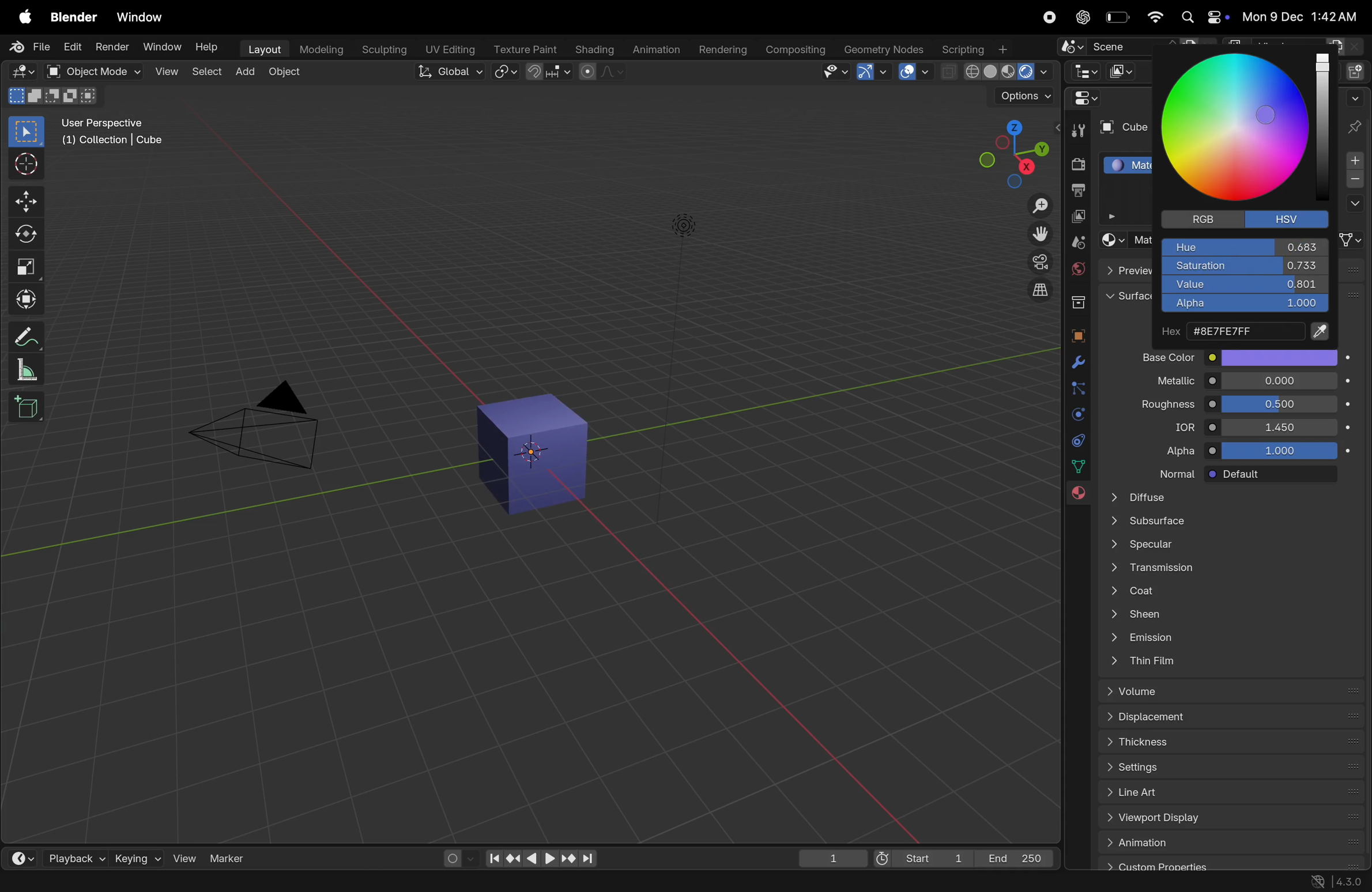 Image resolution: width=1372 pixels, height=892 pixels. What do you see at coordinates (1132, 46) in the screenshot?
I see `scene` at bounding box center [1132, 46].